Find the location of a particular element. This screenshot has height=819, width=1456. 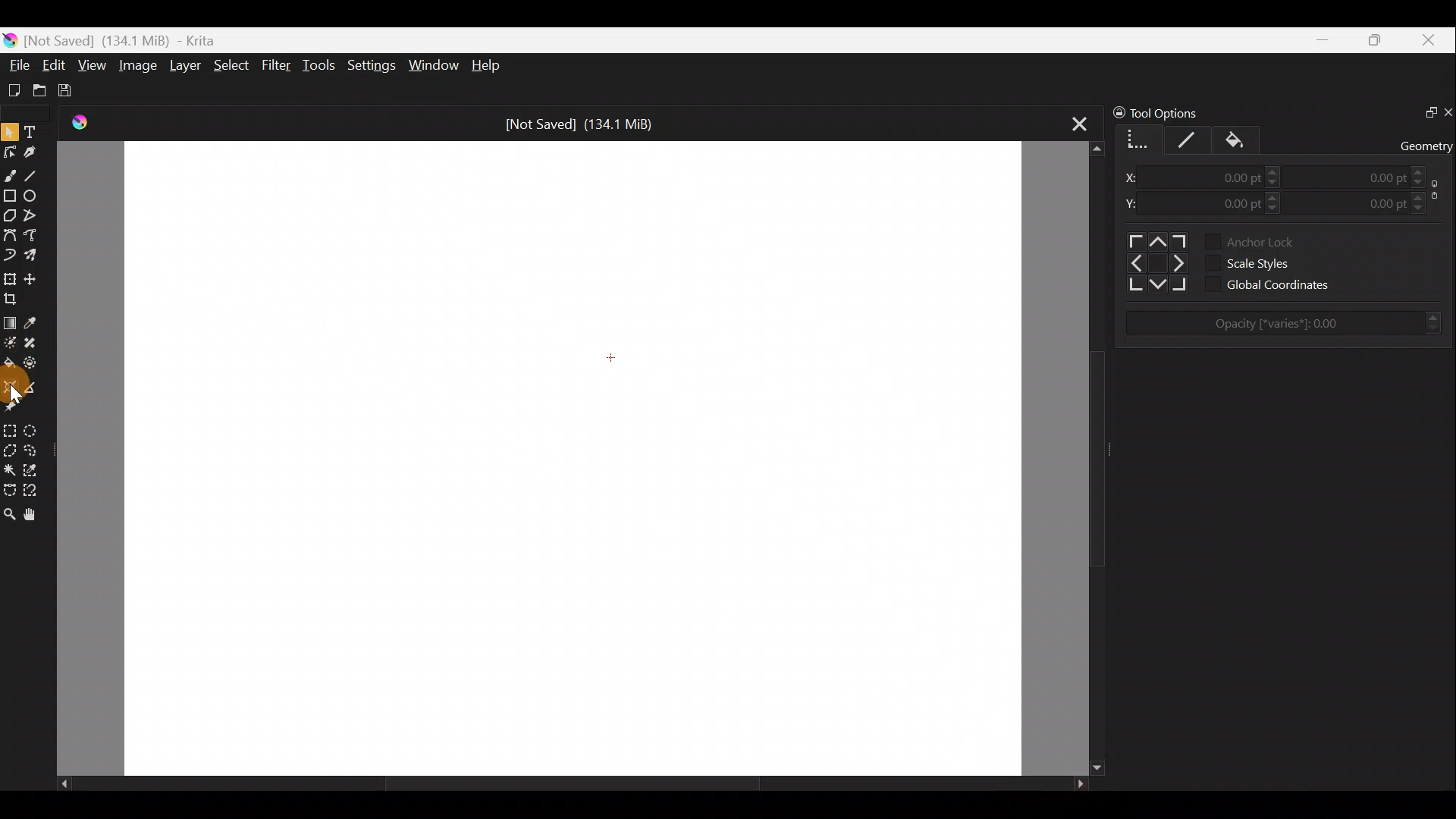

Scroll bar is located at coordinates (560, 784).